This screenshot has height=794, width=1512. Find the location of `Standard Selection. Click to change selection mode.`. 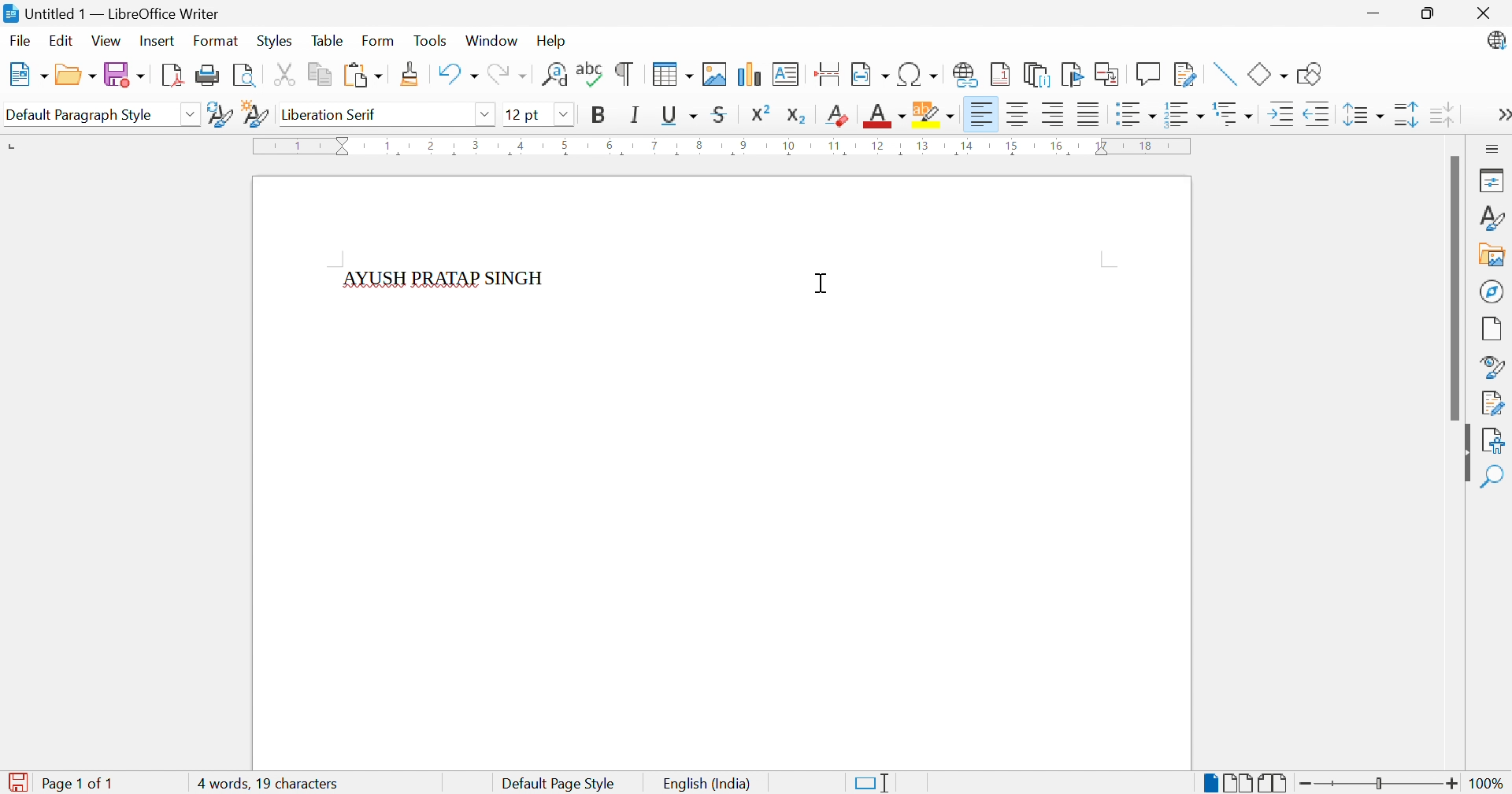

Standard Selection. Click to change selection mode. is located at coordinates (875, 783).